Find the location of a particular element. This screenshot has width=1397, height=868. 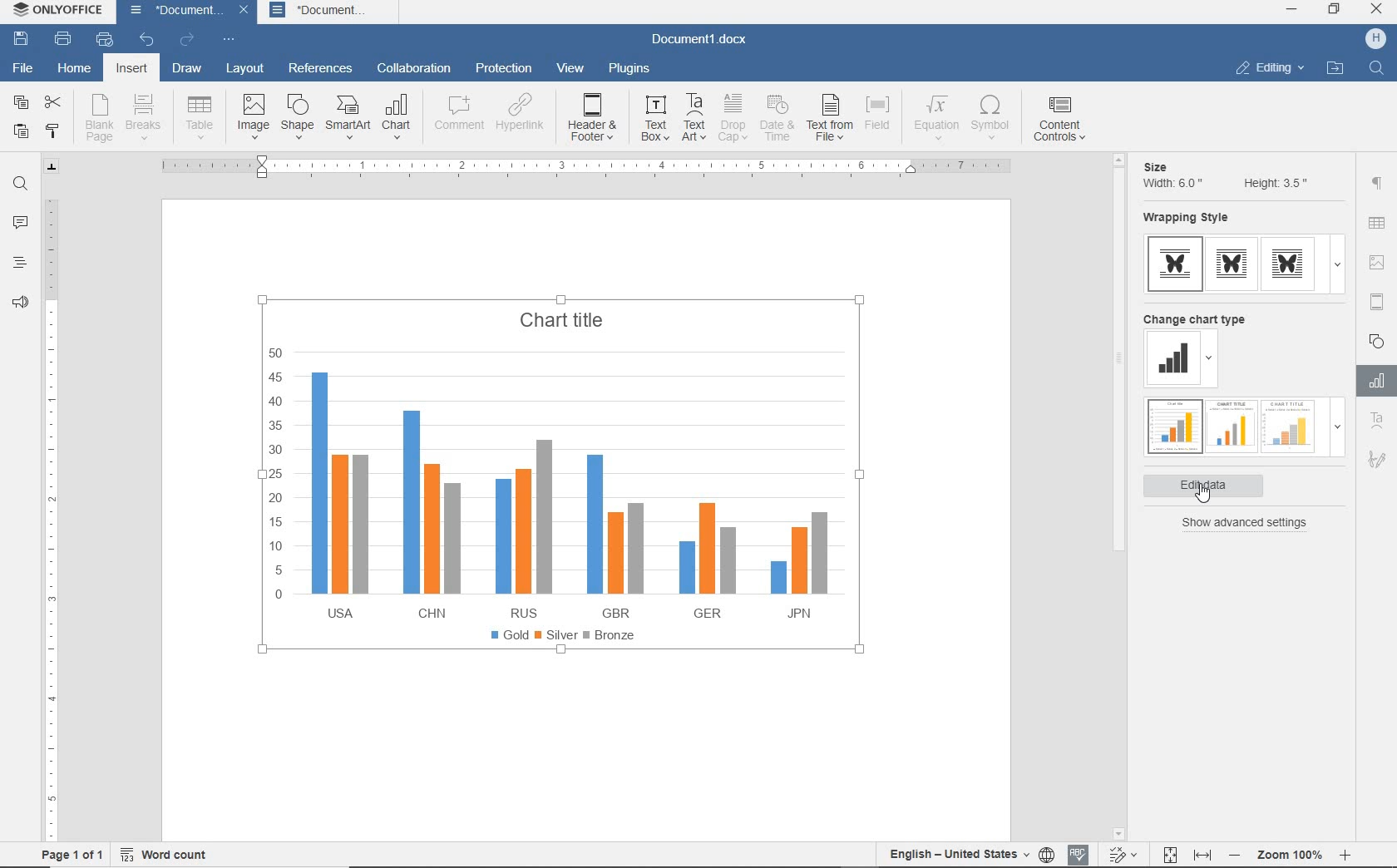

Signature settings is located at coordinates (1376, 463).